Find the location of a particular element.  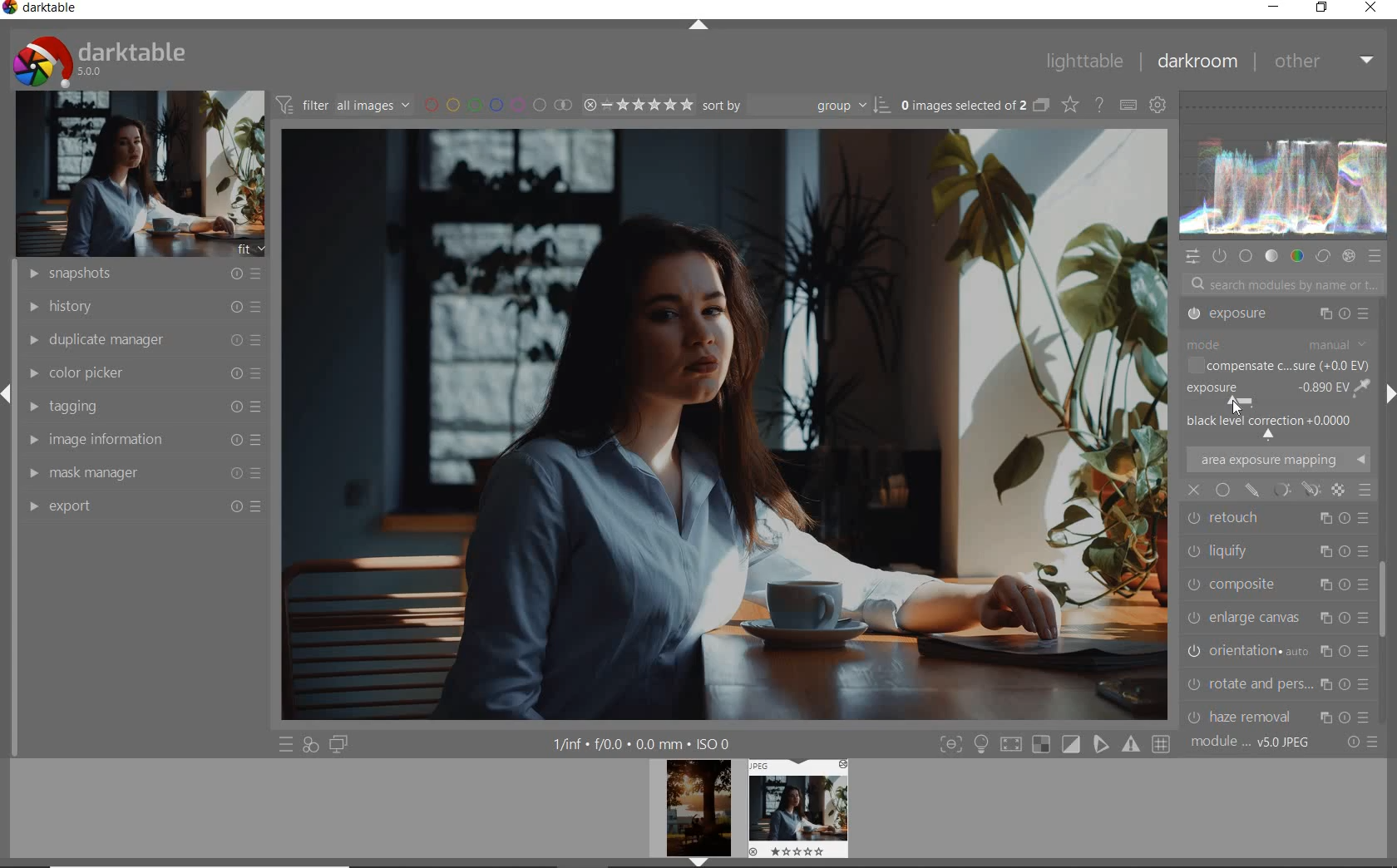

FILTER IMAGE is located at coordinates (339, 105).